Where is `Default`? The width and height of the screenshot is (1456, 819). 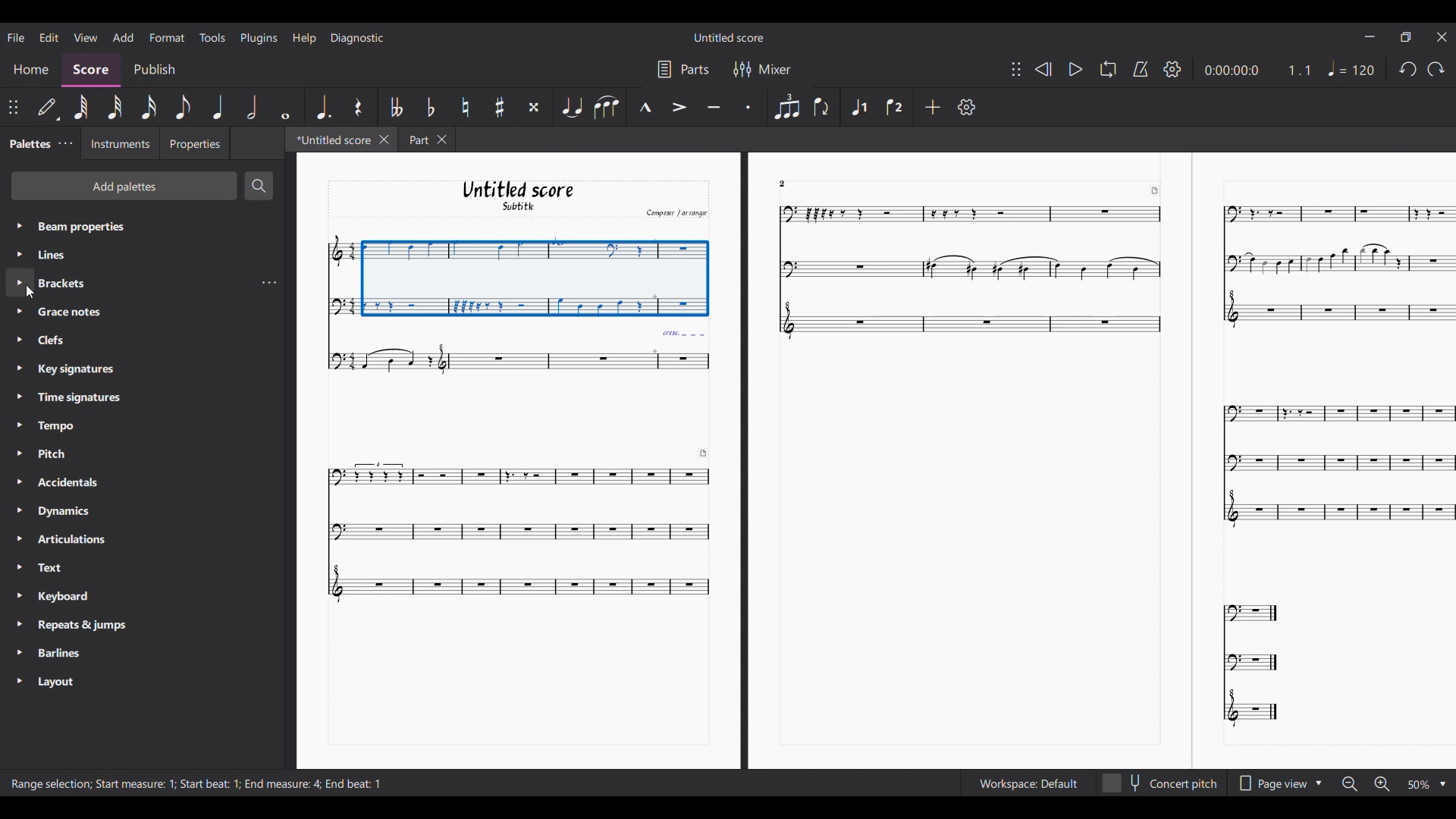 Default is located at coordinates (48, 109).